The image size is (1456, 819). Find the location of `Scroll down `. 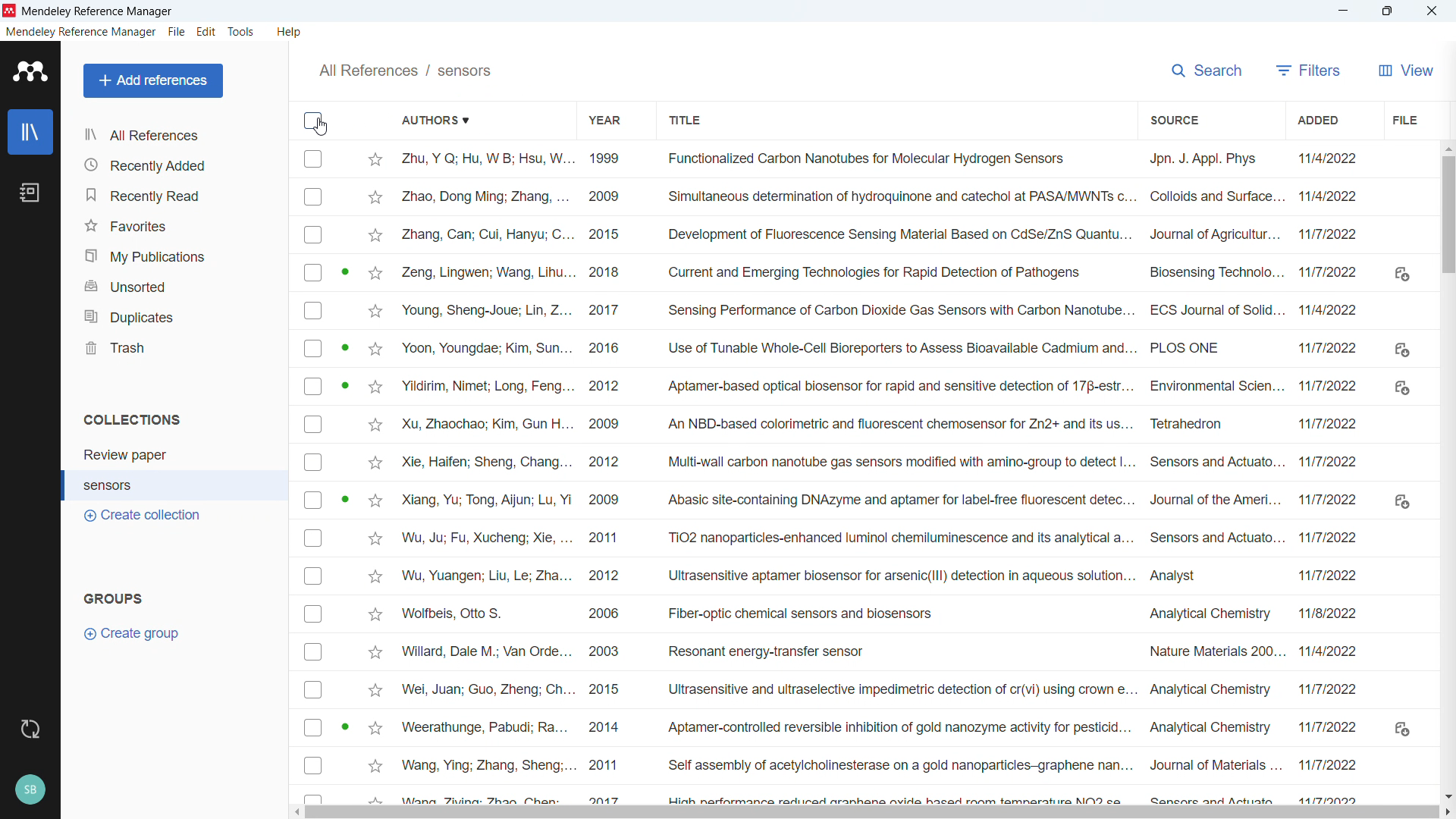

Scroll down  is located at coordinates (1447, 796).